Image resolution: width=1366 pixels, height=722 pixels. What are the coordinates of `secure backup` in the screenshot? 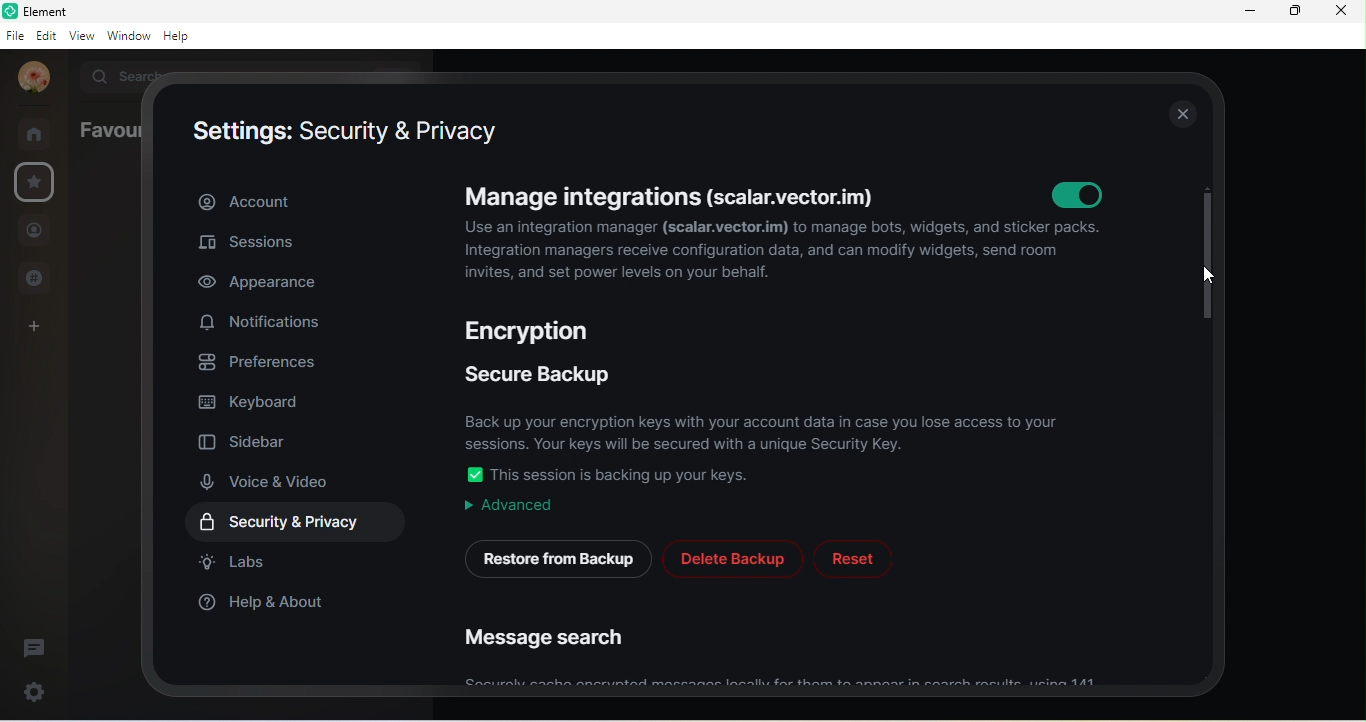 It's located at (539, 369).